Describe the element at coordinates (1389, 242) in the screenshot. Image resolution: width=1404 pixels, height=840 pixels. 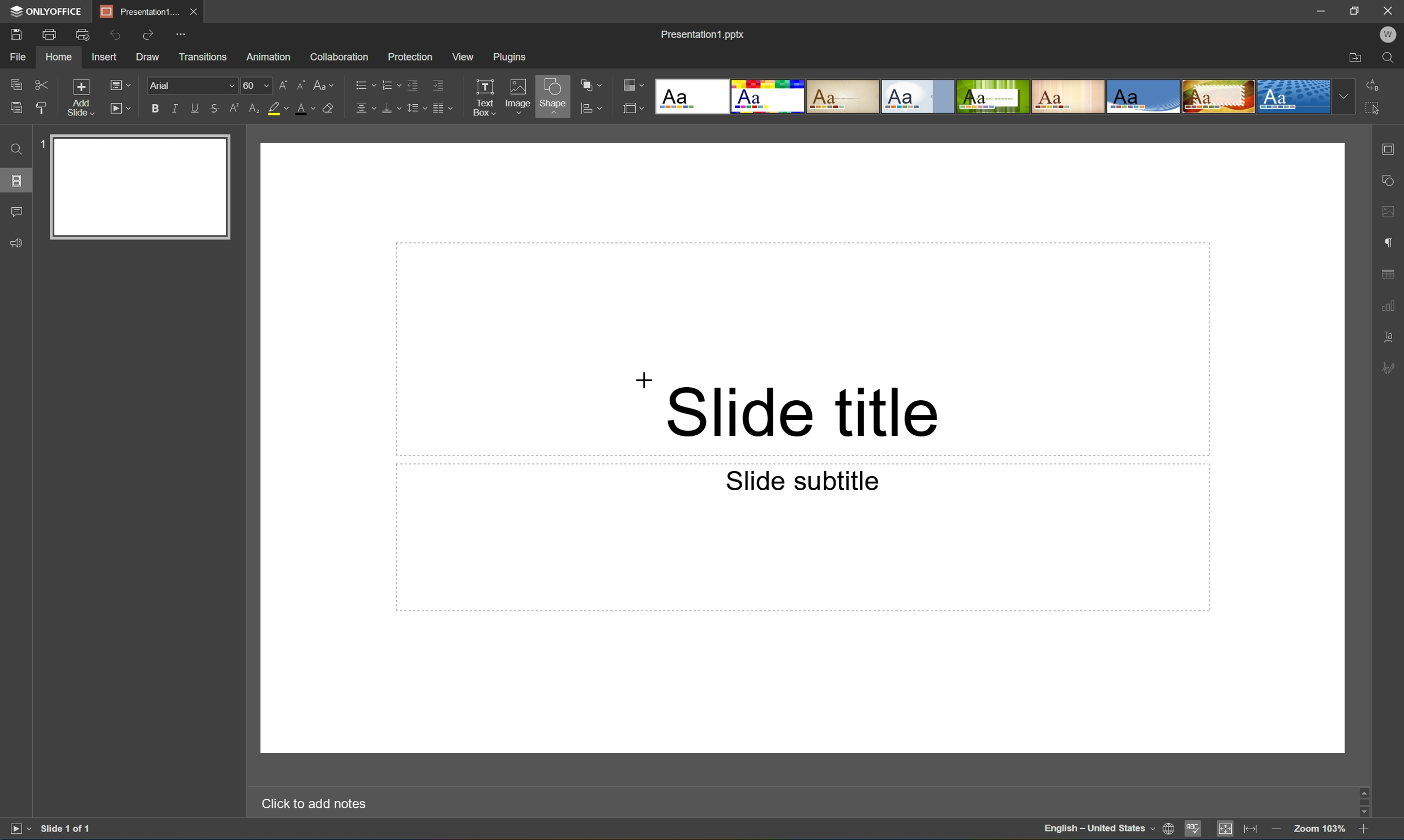
I see `paragraph settings` at that location.